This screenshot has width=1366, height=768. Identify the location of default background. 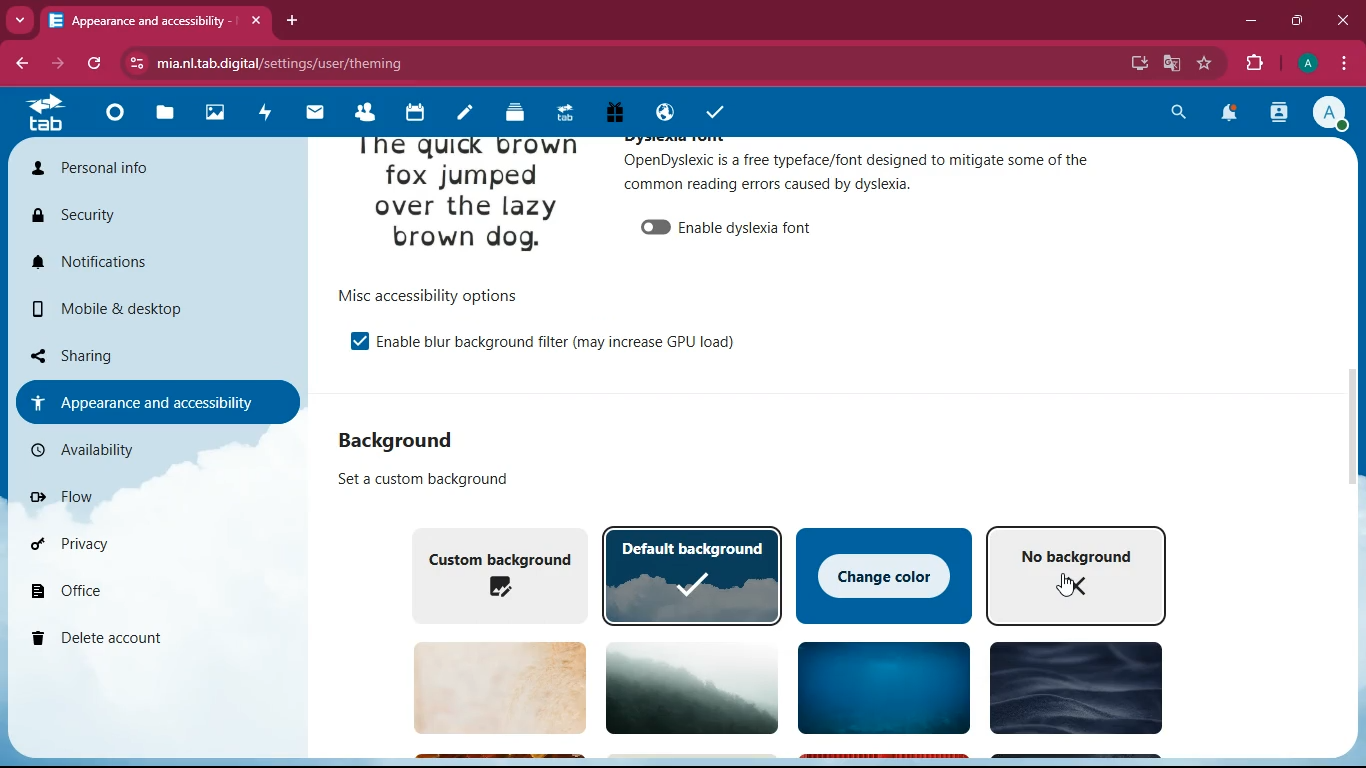
(692, 575).